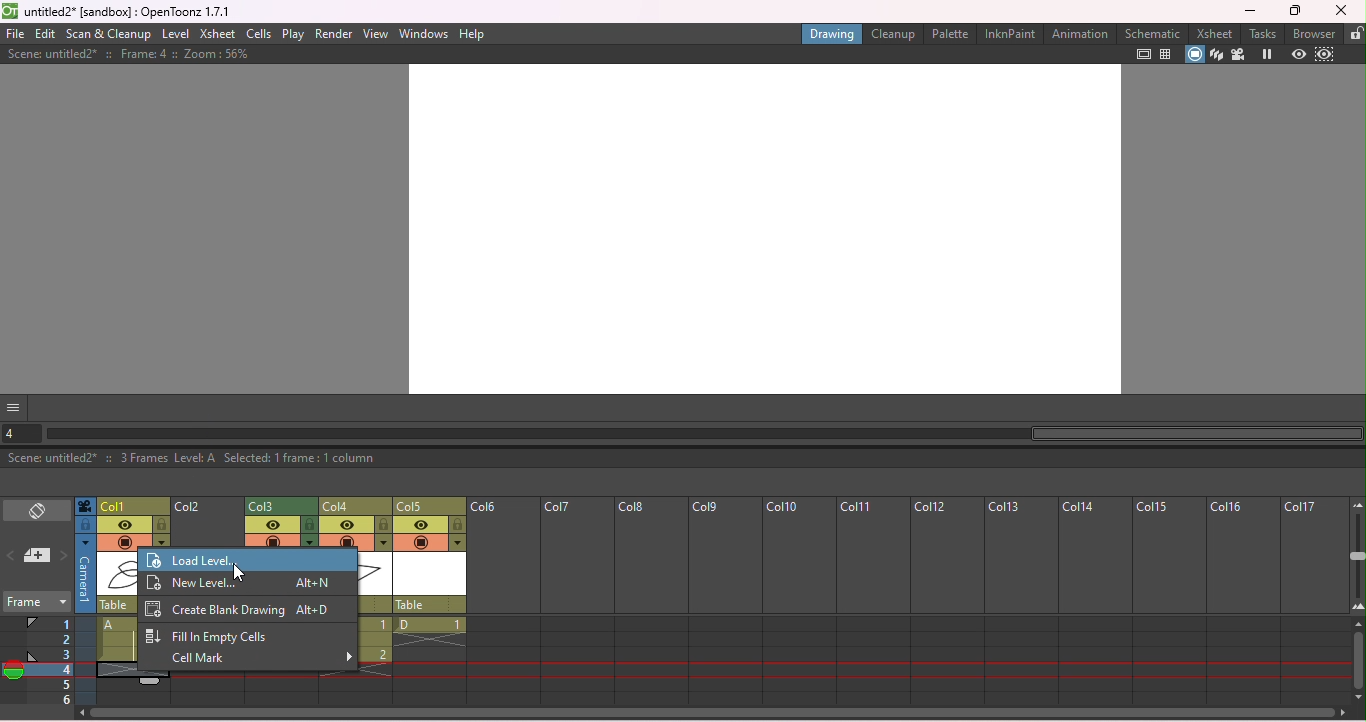 The height and width of the screenshot is (722, 1366). What do you see at coordinates (832, 33) in the screenshot?
I see `Drawing` at bounding box center [832, 33].